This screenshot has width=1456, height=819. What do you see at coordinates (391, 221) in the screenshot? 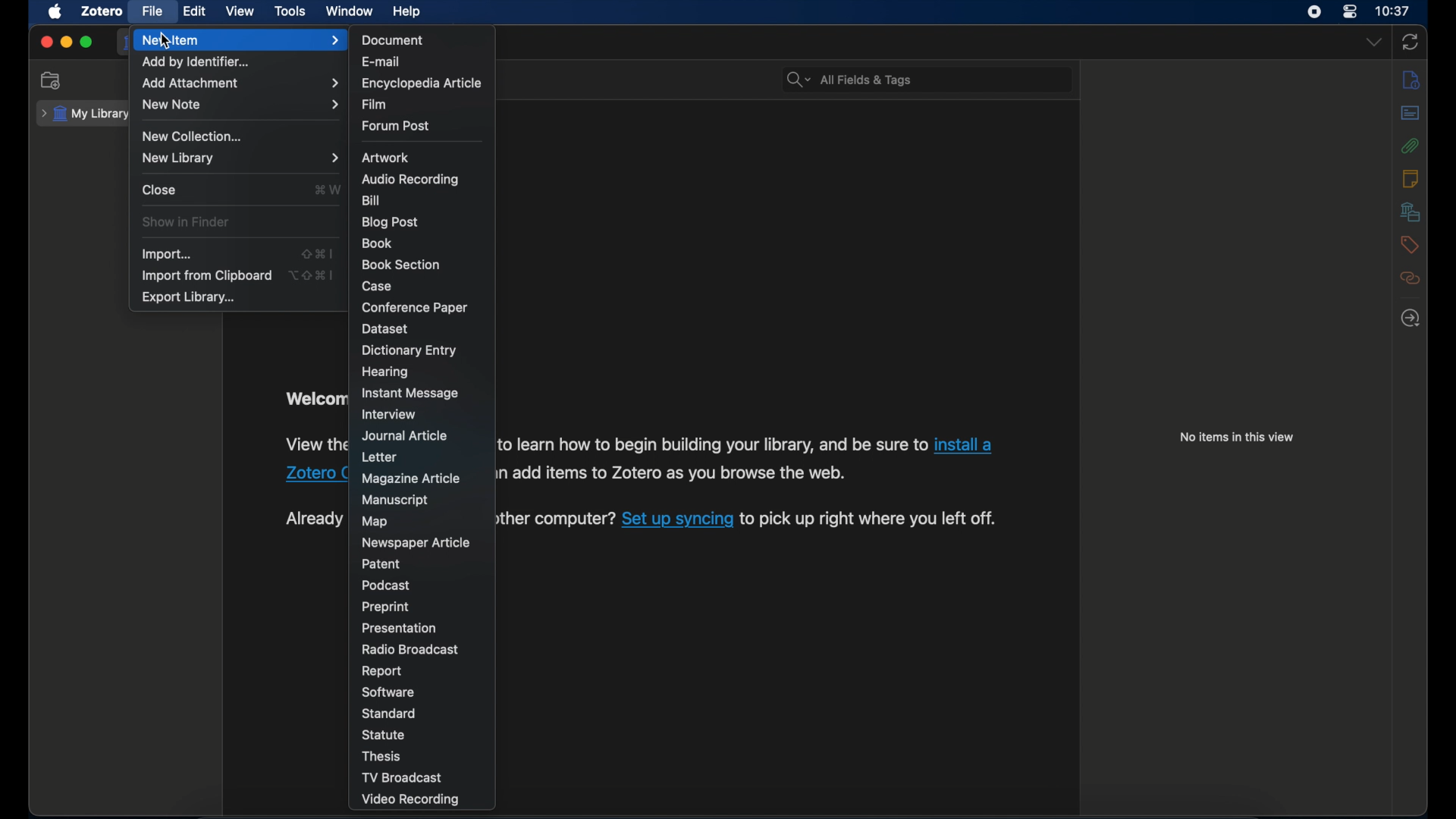
I see `blogpost` at bounding box center [391, 221].